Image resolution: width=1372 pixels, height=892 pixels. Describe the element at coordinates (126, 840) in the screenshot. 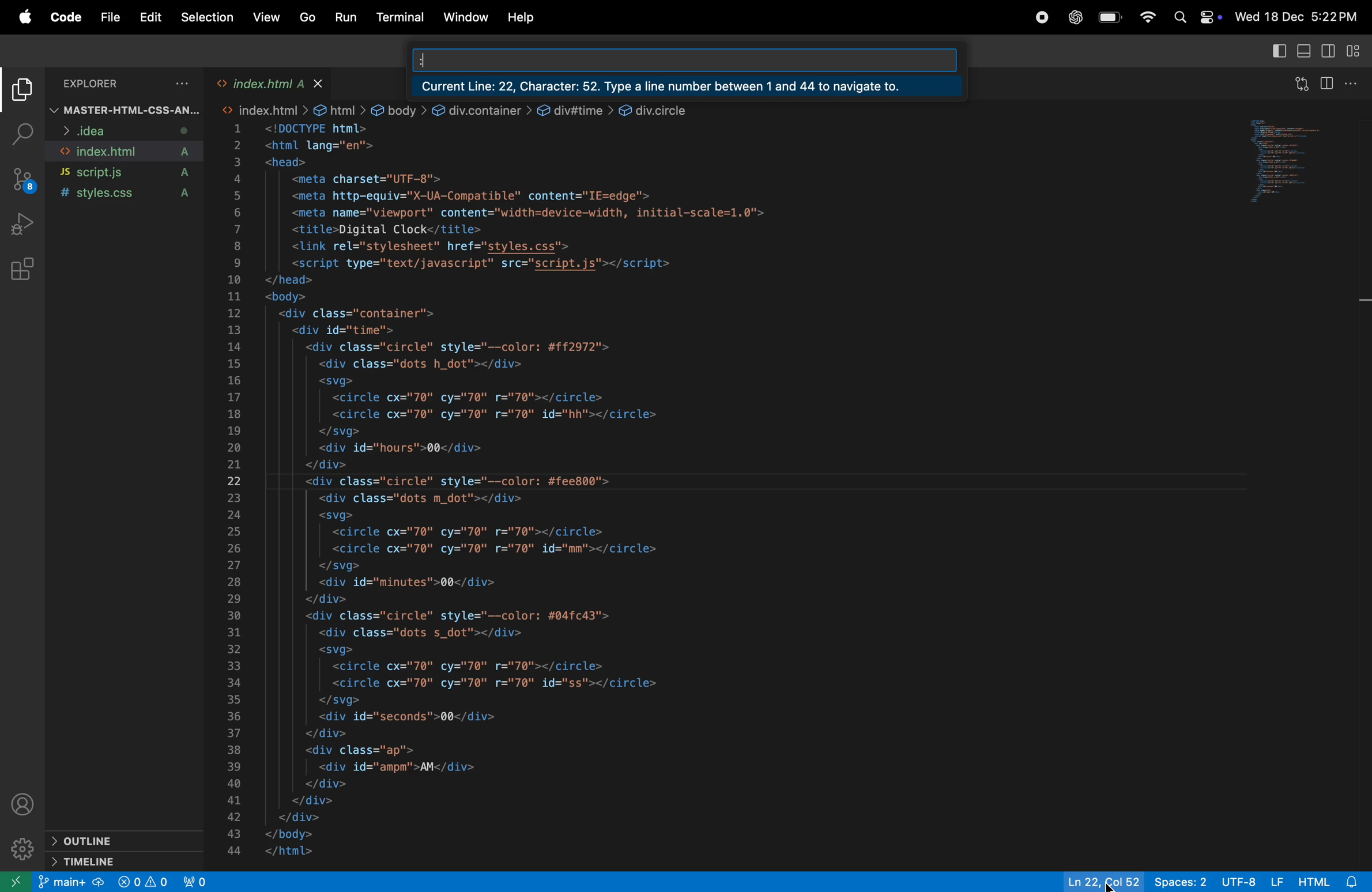

I see `outline` at that location.